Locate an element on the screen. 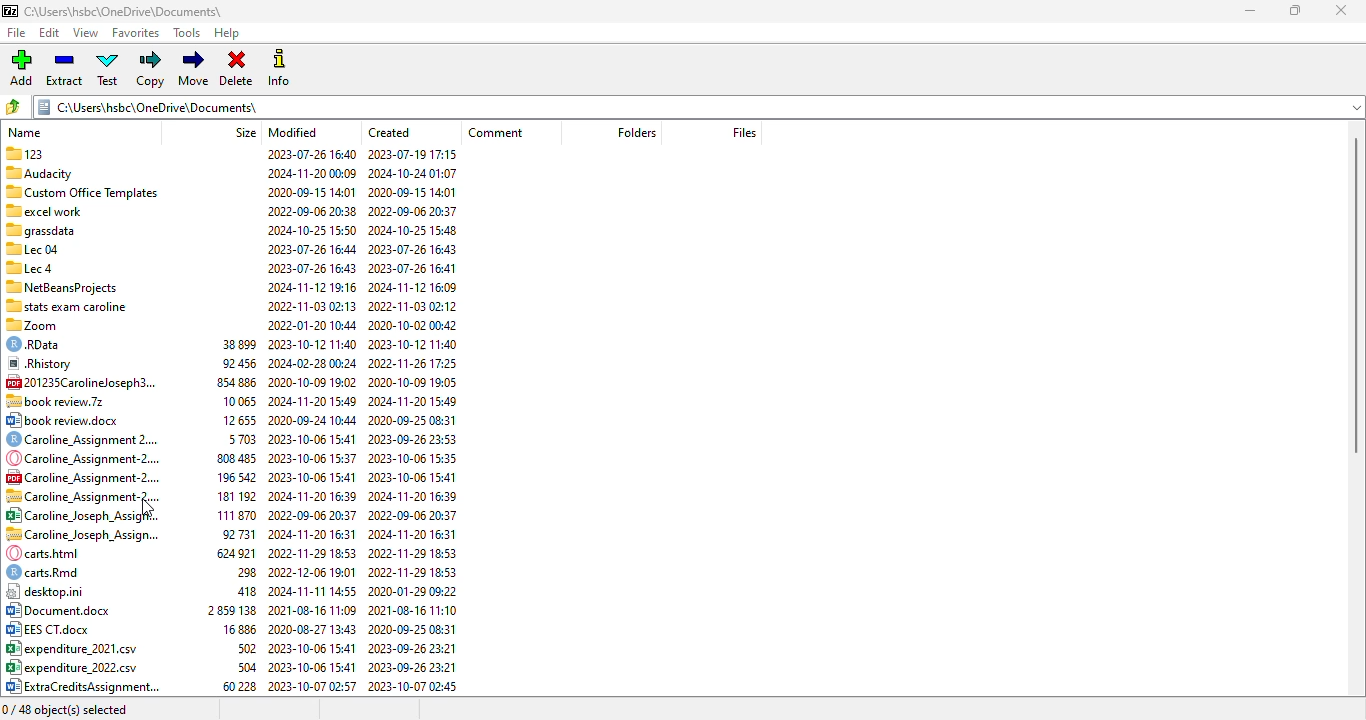 Image resolution: width=1366 pixels, height=720 pixels. folders is located at coordinates (635, 131).